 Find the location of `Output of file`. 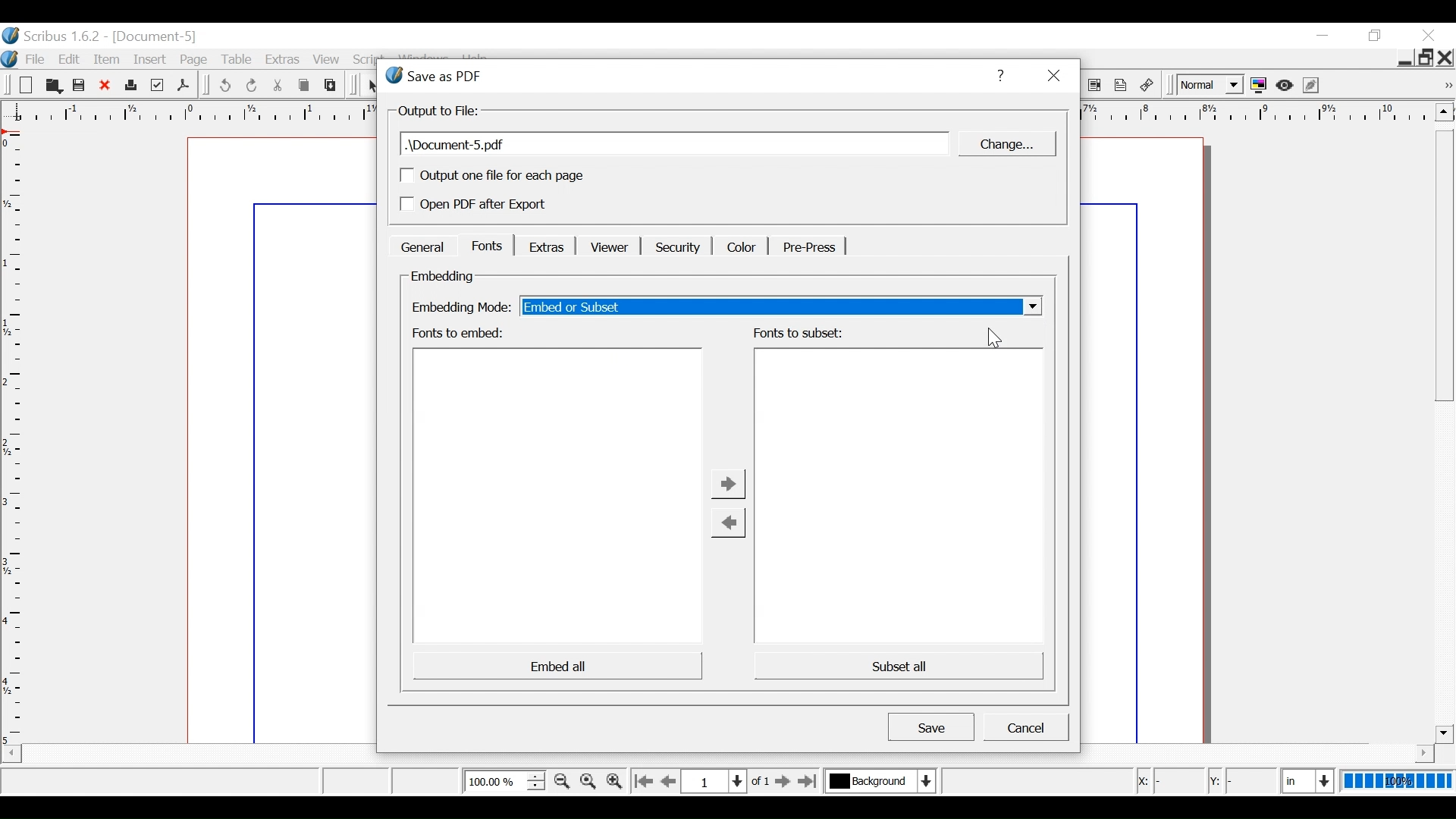

Output of file is located at coordinates (440, 111).